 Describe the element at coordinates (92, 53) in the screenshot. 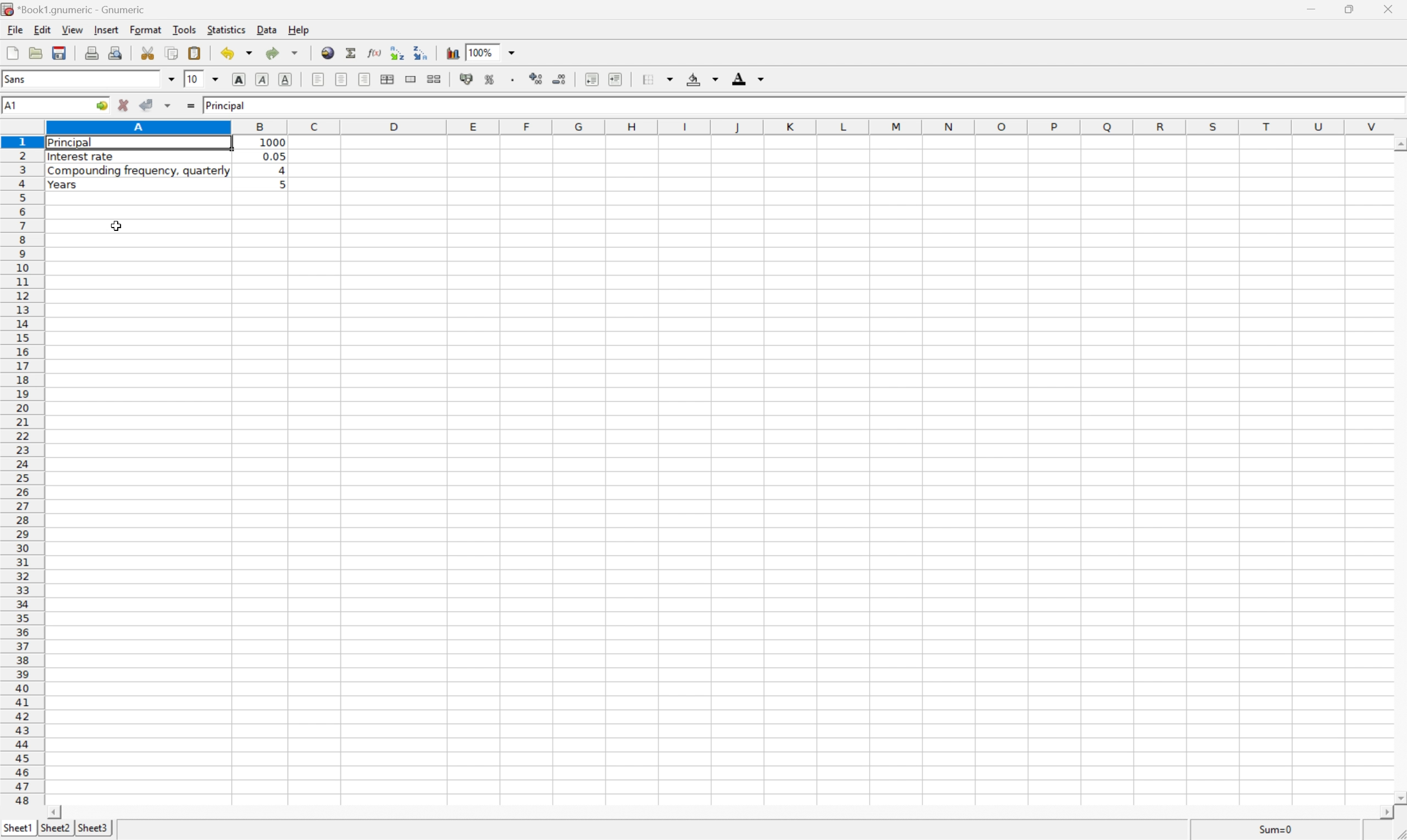

I see `print` at that location.